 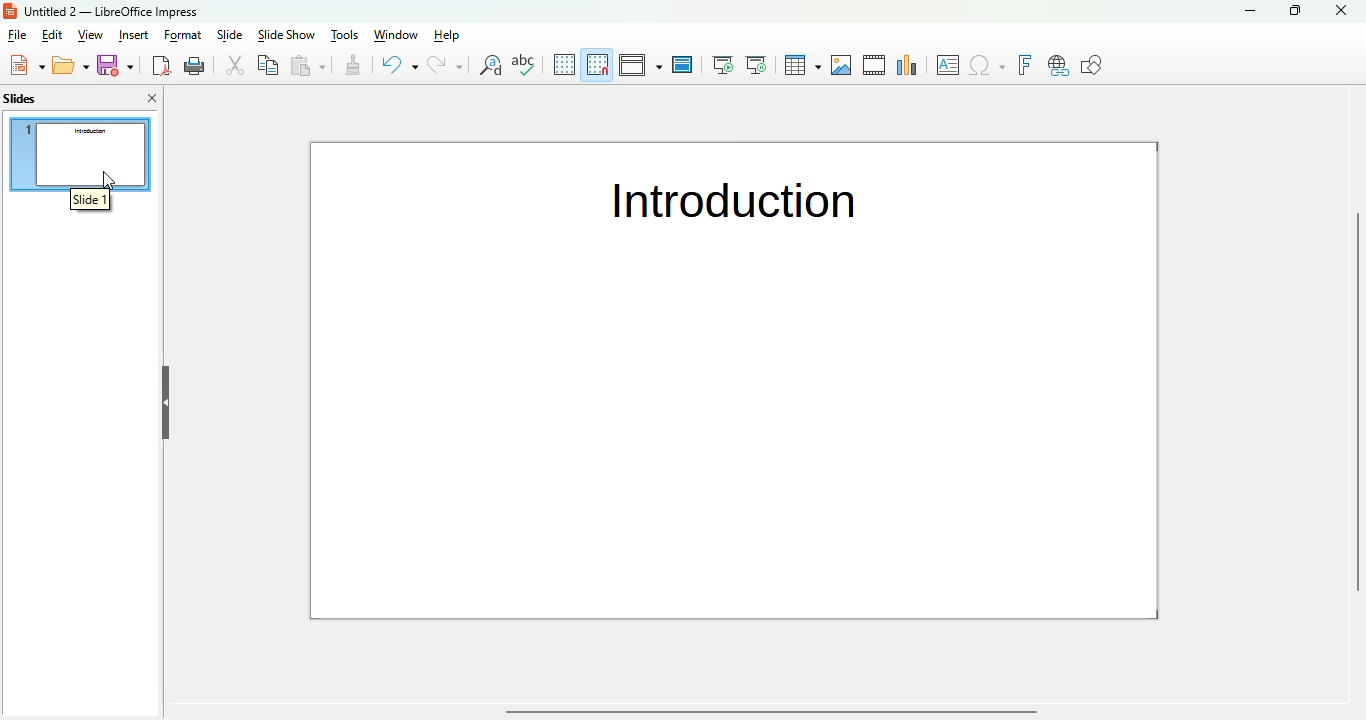 What do you see at coordinates (875, 65) in the screenshot?
I see `insert audio or video` at bounding box center [875, 65].